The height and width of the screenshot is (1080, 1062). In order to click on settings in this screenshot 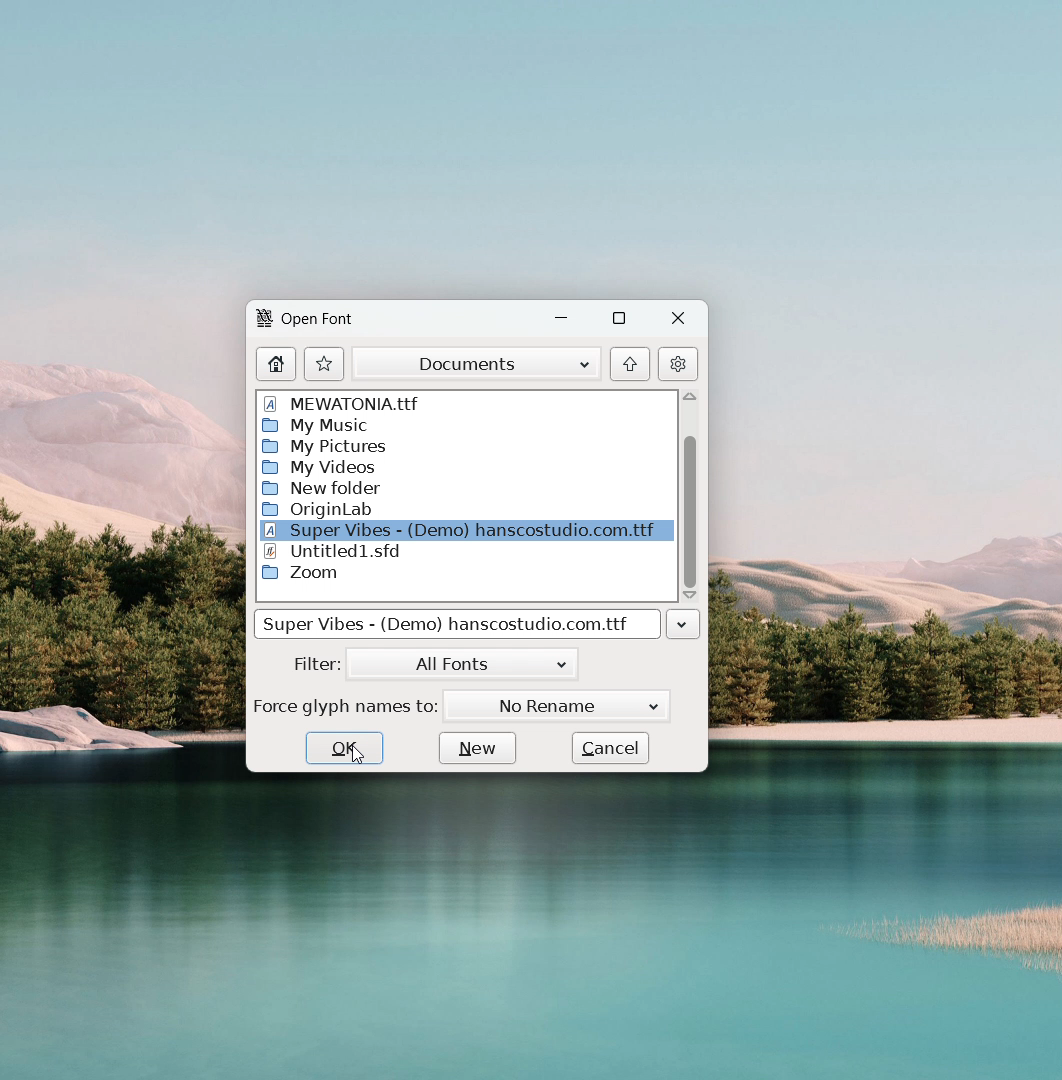, I will do `click(679, 364)`.